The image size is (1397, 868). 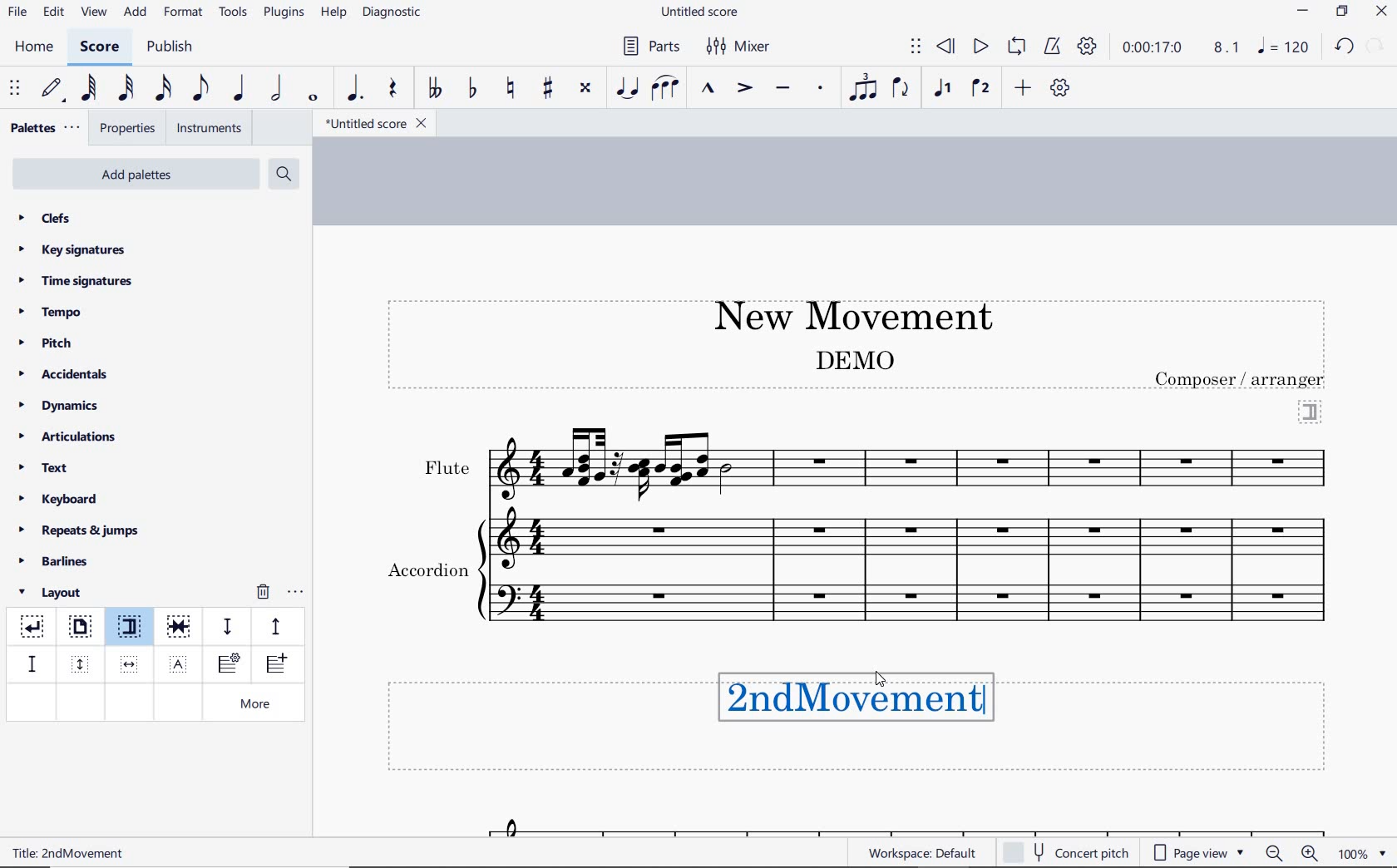 What do you see at coordinates (446, 468) in the screenshot?
I see `text` at bounding box center [446, 468].